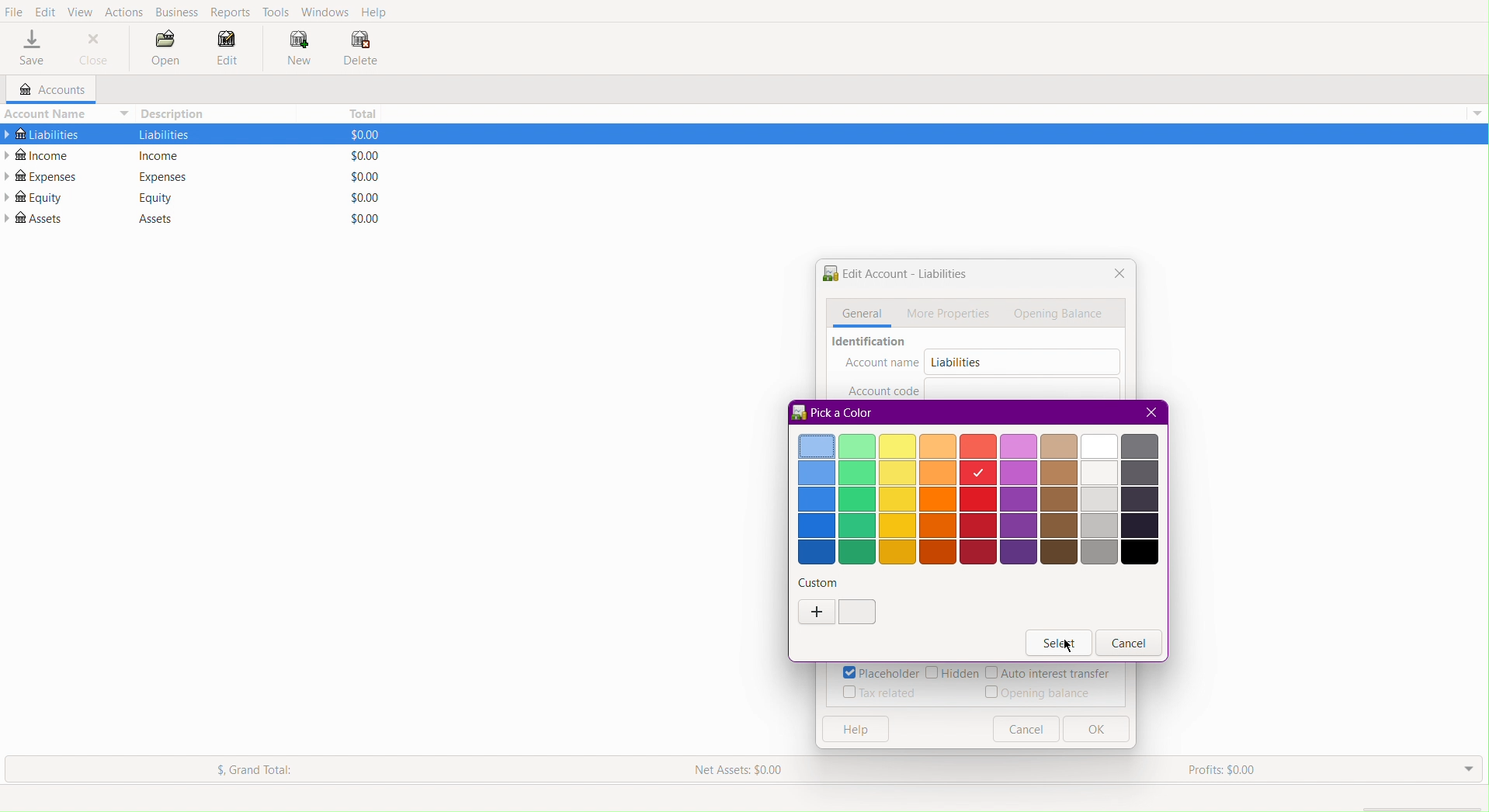 Image resolution: width=1489 pixels, height=812 pixels. Describe the element at coordinates (882, 364) in the screenshot. I see `Account name` at that location.